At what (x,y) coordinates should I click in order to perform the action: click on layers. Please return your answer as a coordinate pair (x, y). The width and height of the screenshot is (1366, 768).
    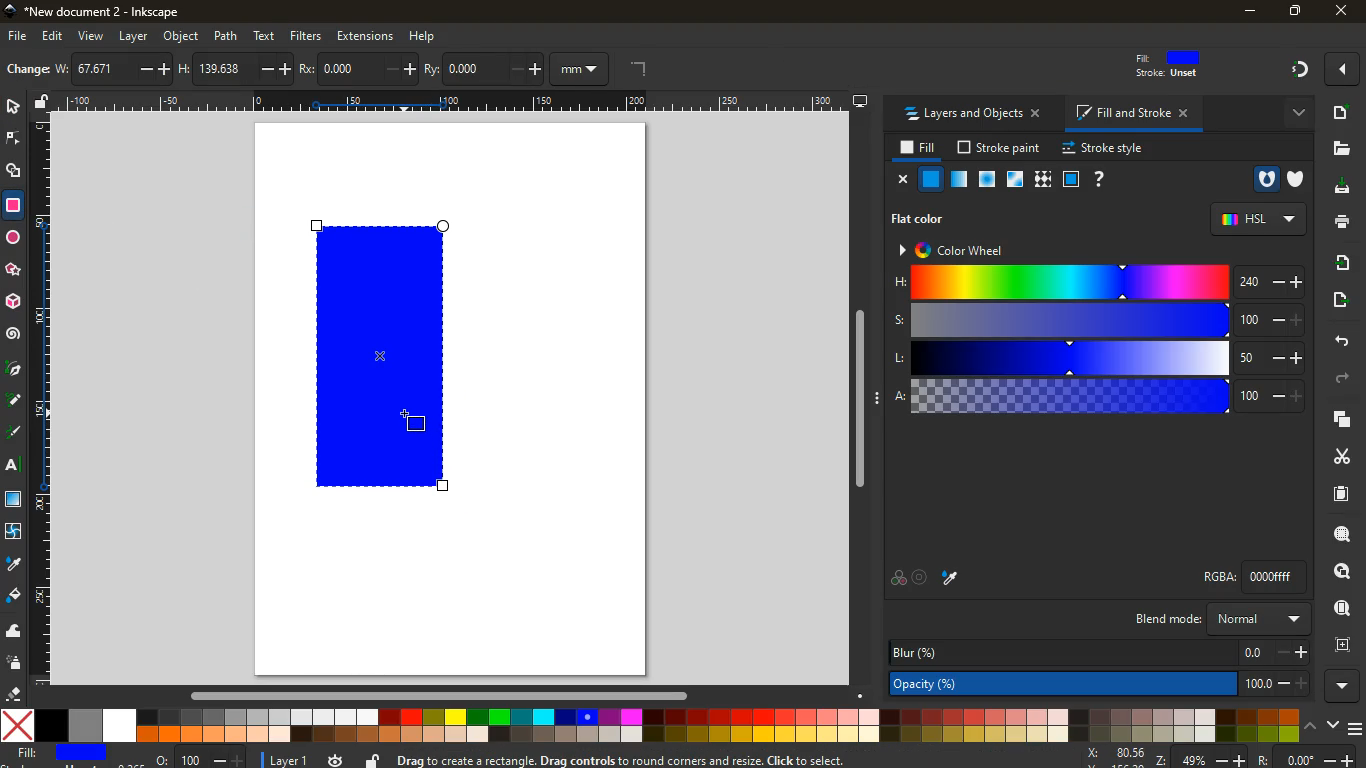
    Looking at the image, I should click on (1342, 420).